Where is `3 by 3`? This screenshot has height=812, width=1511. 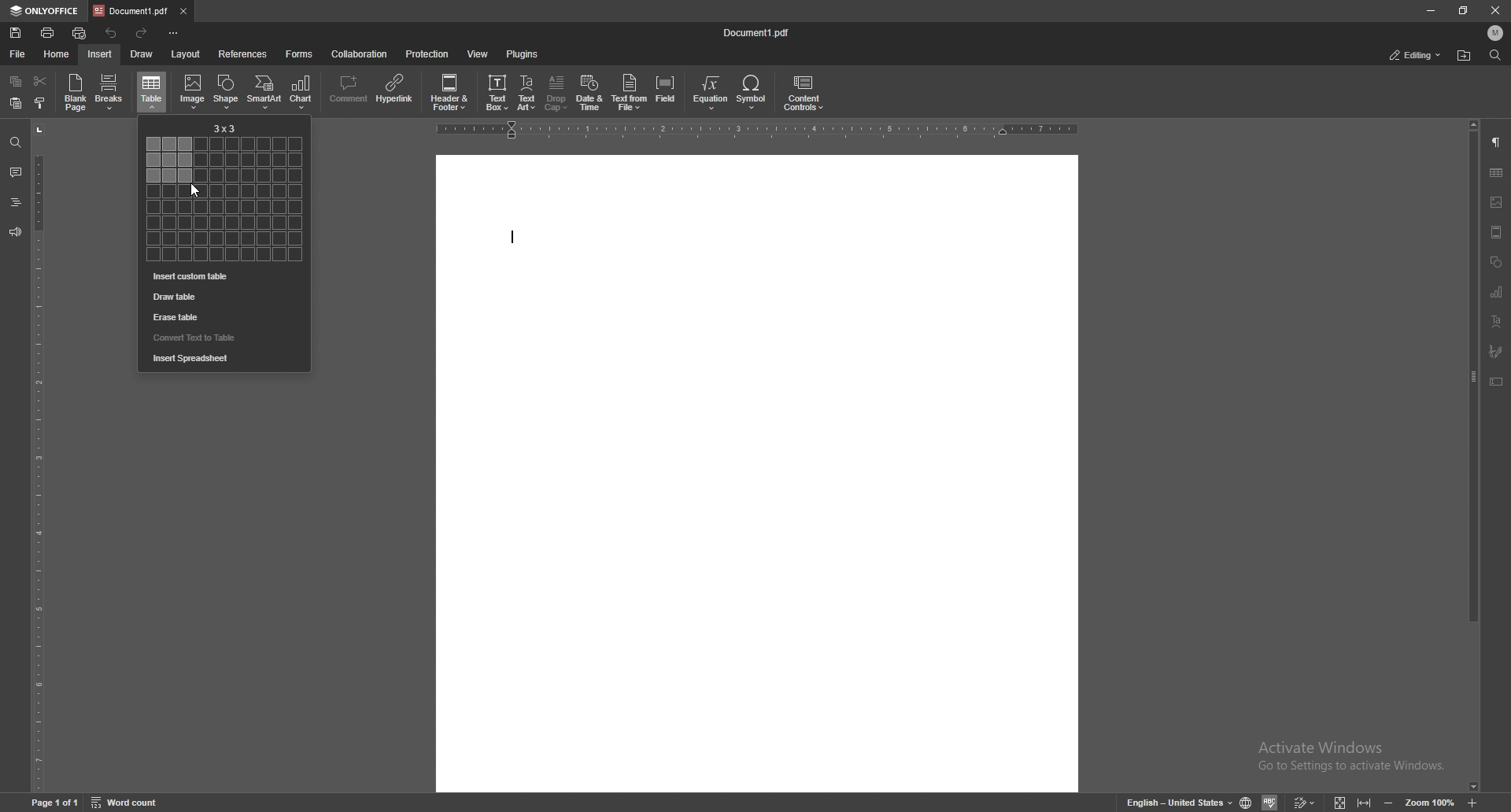
3 by 3 is located at coordinates (226, 128).